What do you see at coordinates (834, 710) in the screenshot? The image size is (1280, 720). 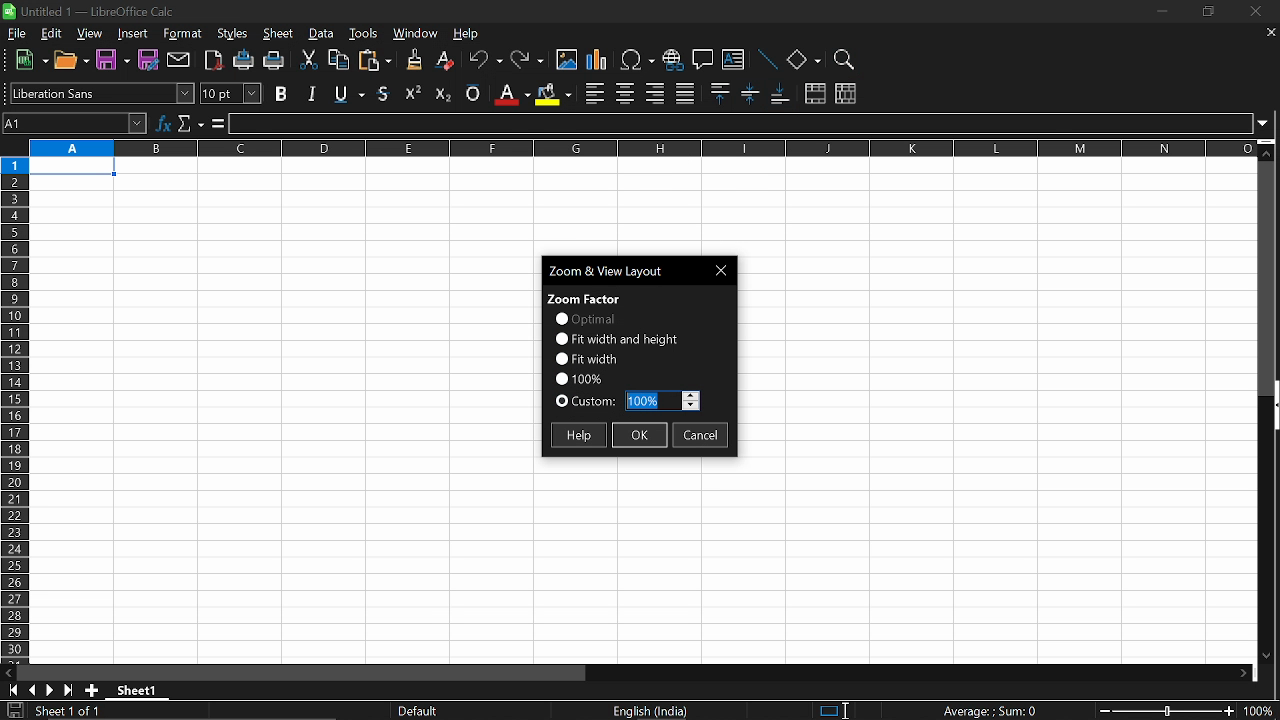 I see `standard selection` at bounding box center [834, 710].